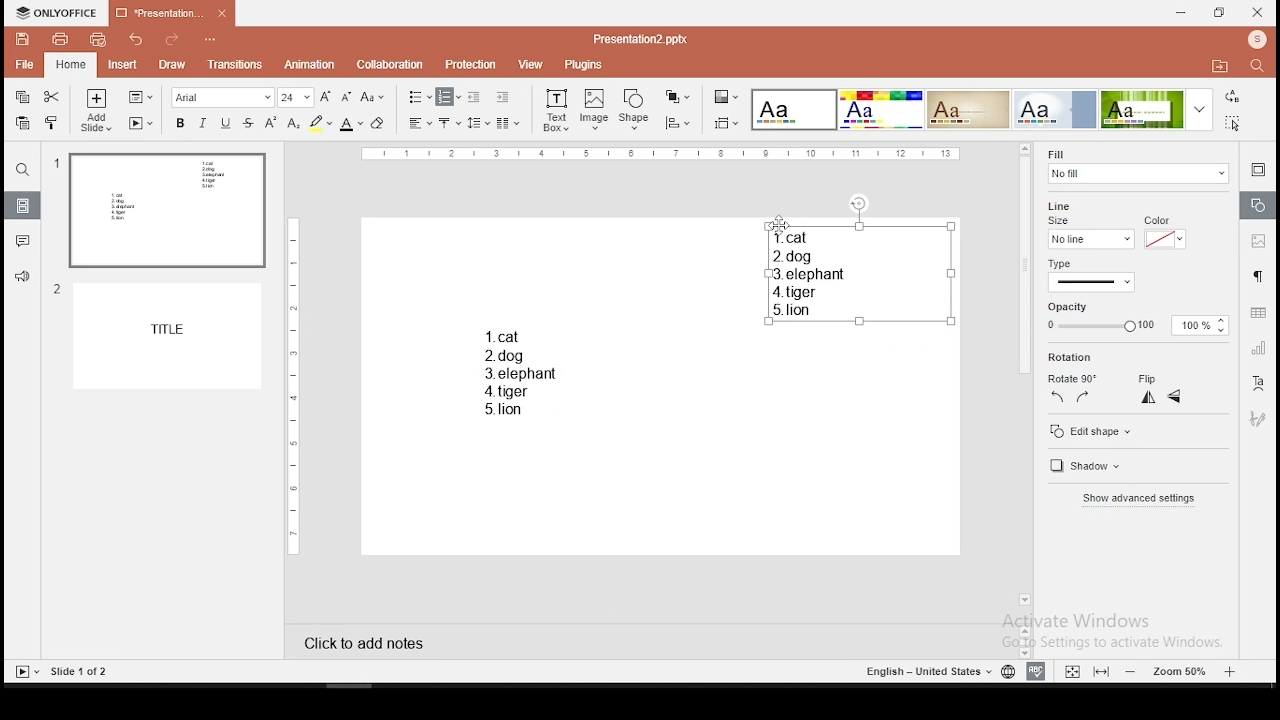 Image resolution: width=1280 pixels, height=720 pixels. Describe the element at coordinates (419, 124) in the screenshot. I see `horizontal align` at that location.